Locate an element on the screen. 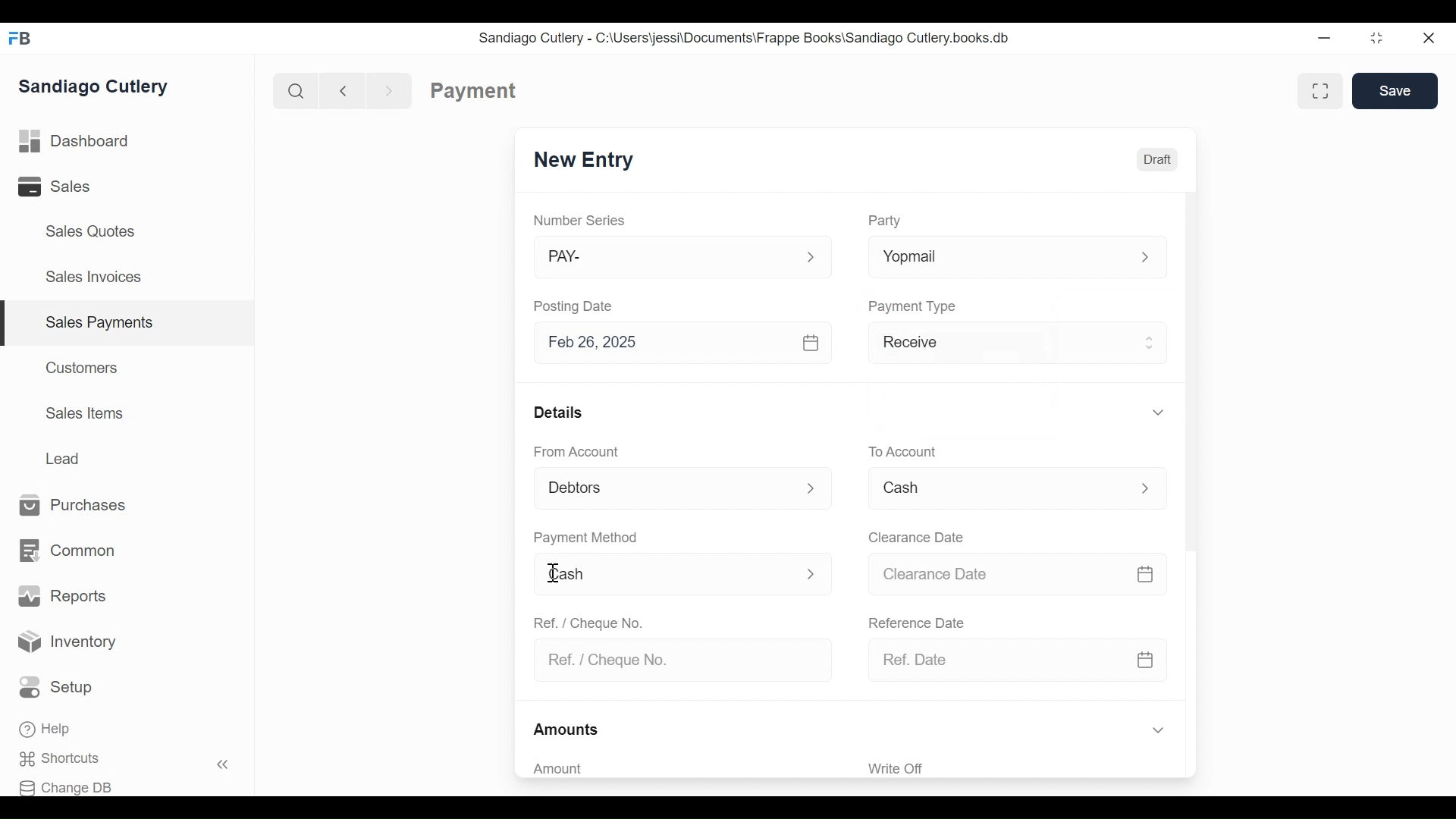  Customers is located at coordinates (83, 367).